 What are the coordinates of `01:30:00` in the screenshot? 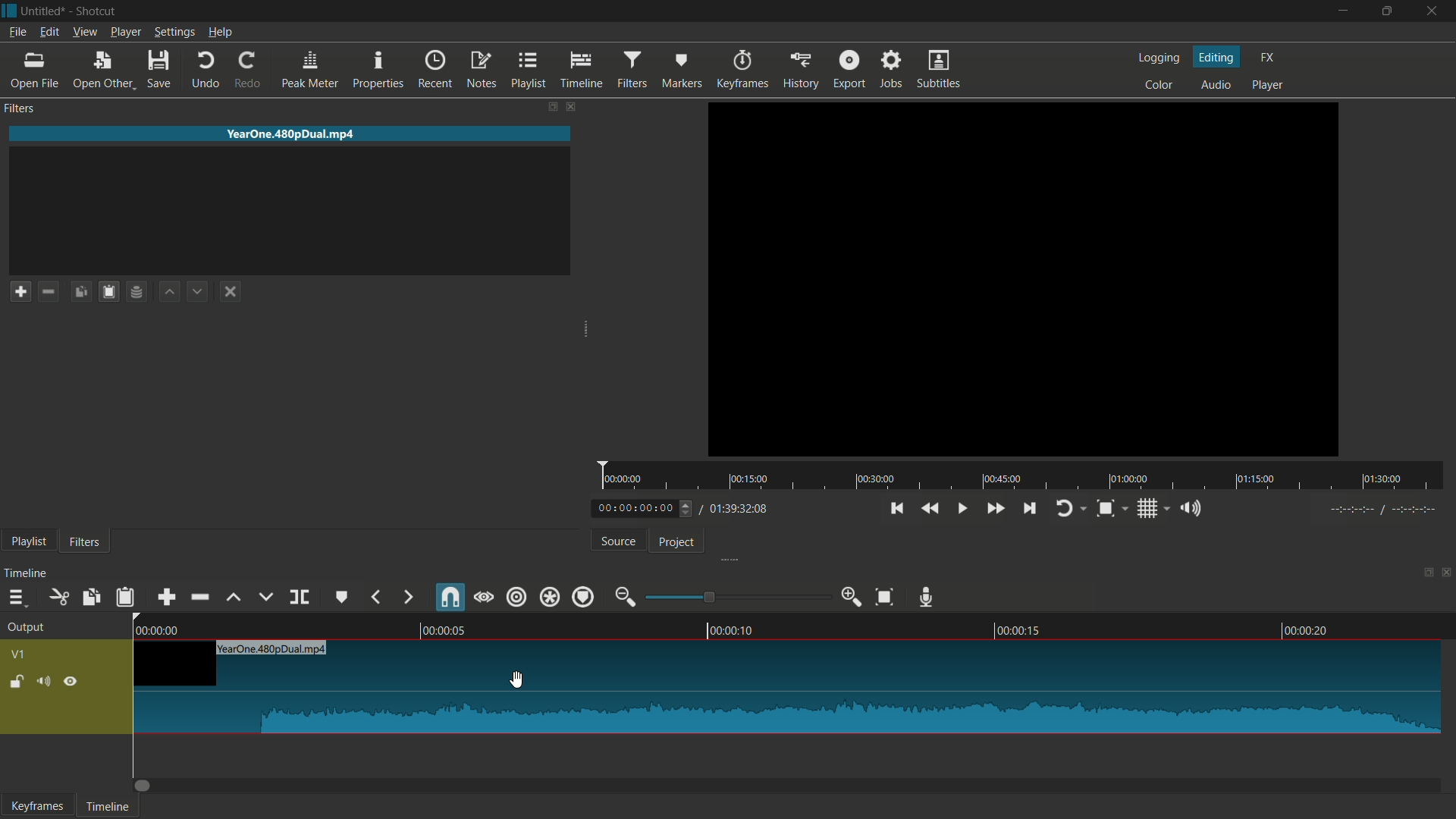 It's located at (1382, 480).